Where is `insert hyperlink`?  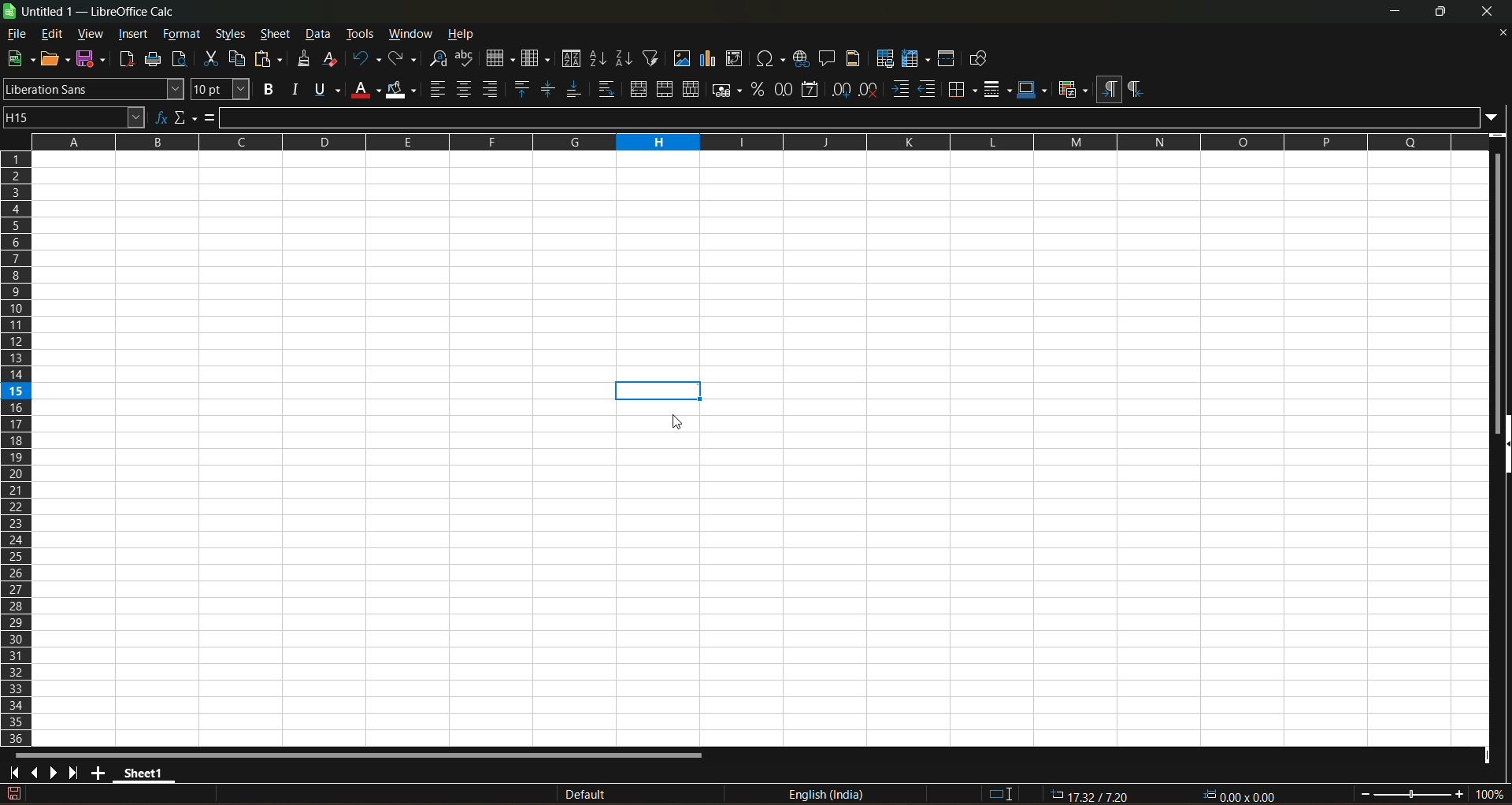
insert hyperlink is located at coordinates (800, 58).